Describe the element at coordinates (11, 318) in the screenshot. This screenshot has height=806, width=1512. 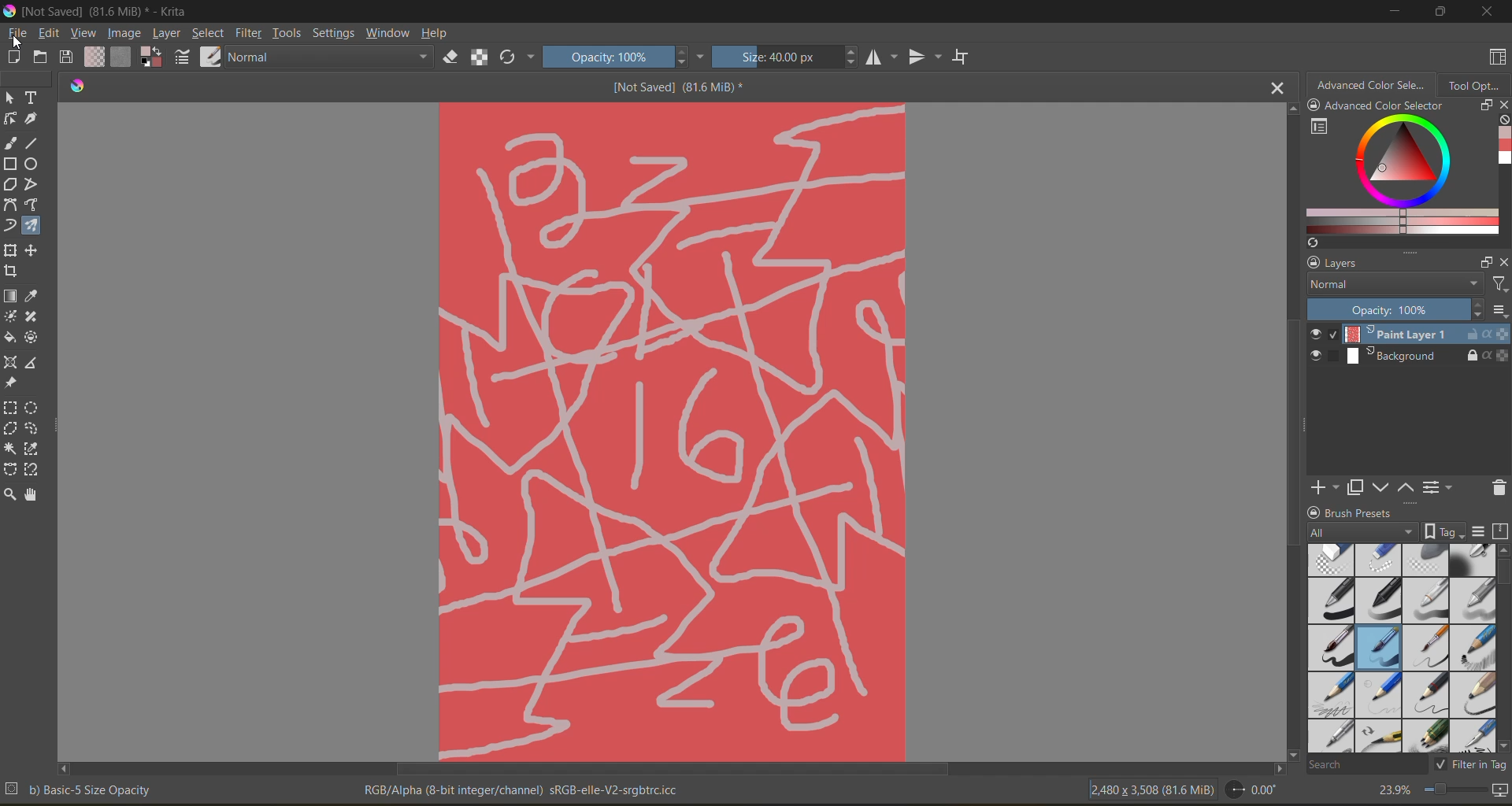
I see `tool` at that location.